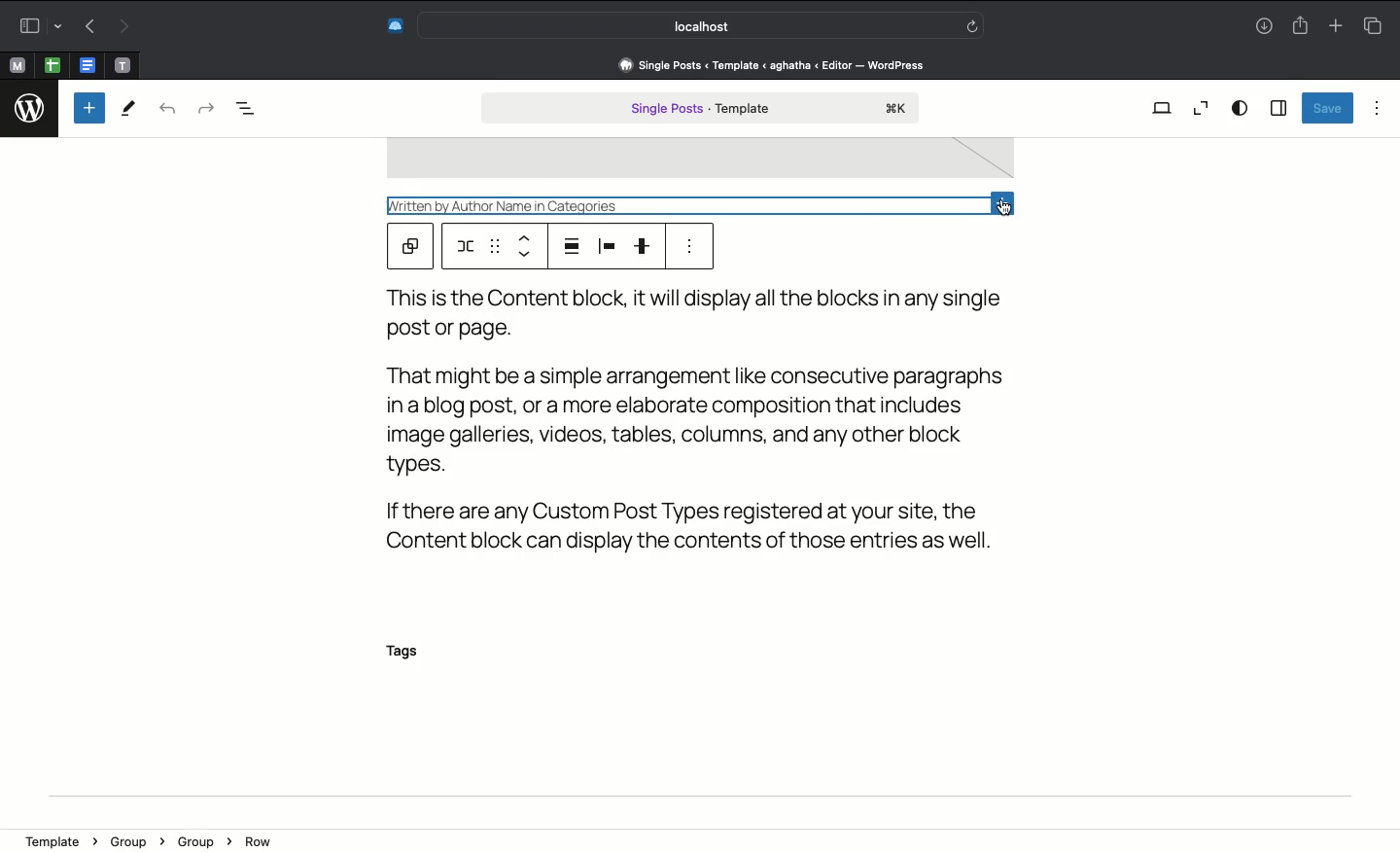 The height and width of the screenshot is (852, 1400). What do you see at coordinates (125, 27) in the screenshot?
I see `Forward` at bounding box center [125, 27].